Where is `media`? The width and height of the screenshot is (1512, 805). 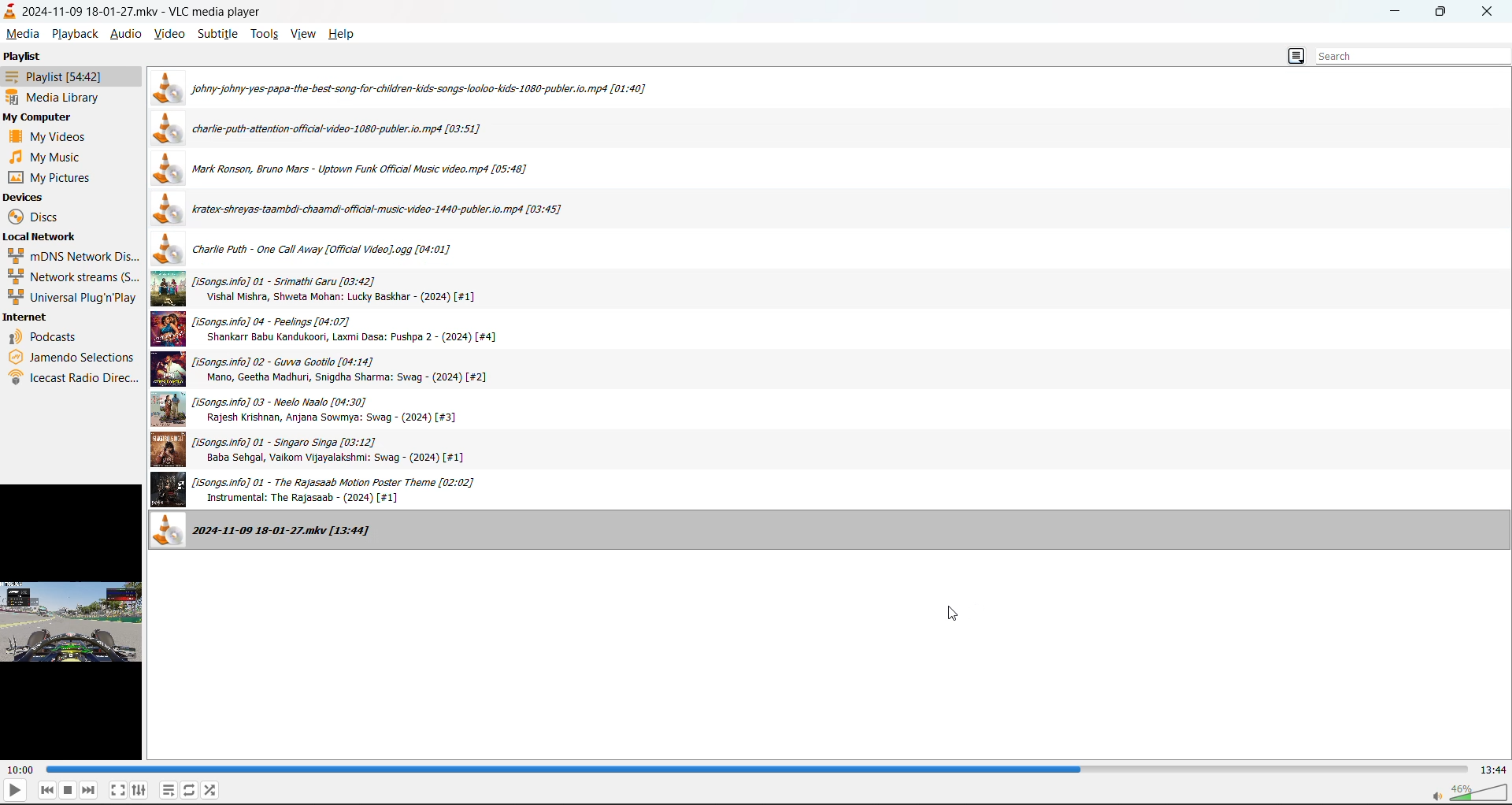 media is located at coordinates (20, 34).